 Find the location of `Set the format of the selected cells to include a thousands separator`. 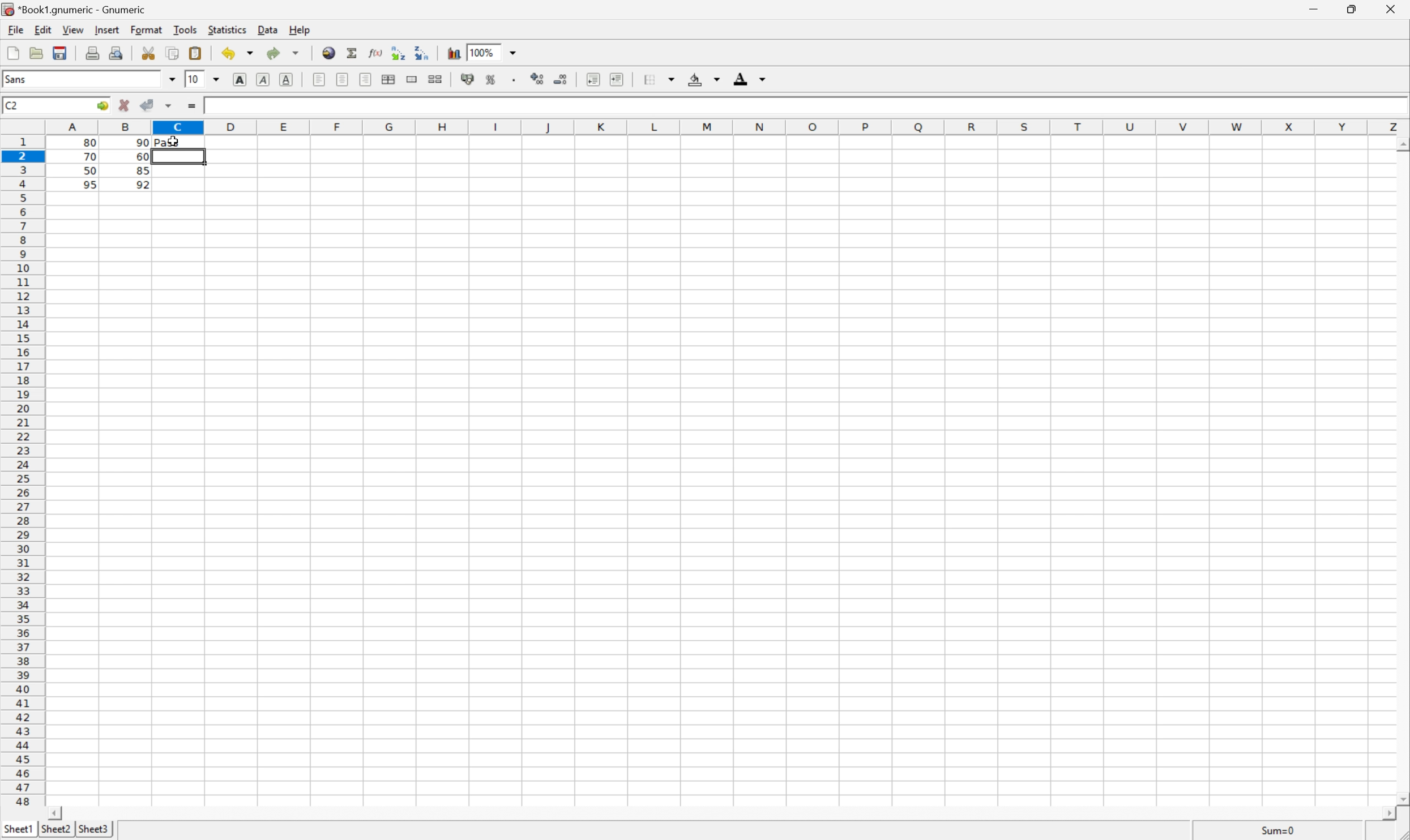

Set the format of the selected cells to include a thousands separator is located at coordinates (516, 77).